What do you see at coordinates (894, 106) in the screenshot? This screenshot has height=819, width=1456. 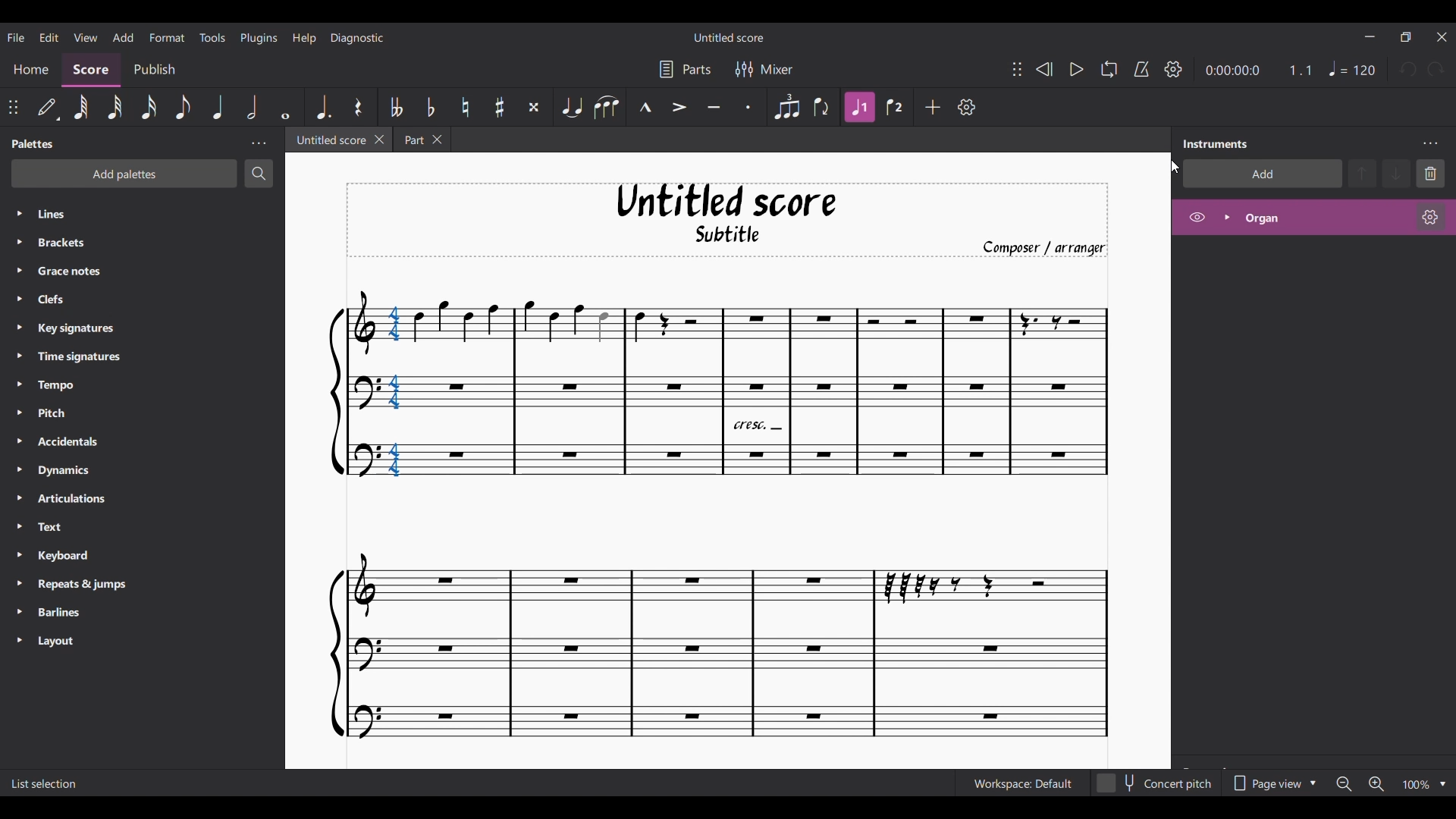 I see `Voice 2` at bounding box center [894, 106].